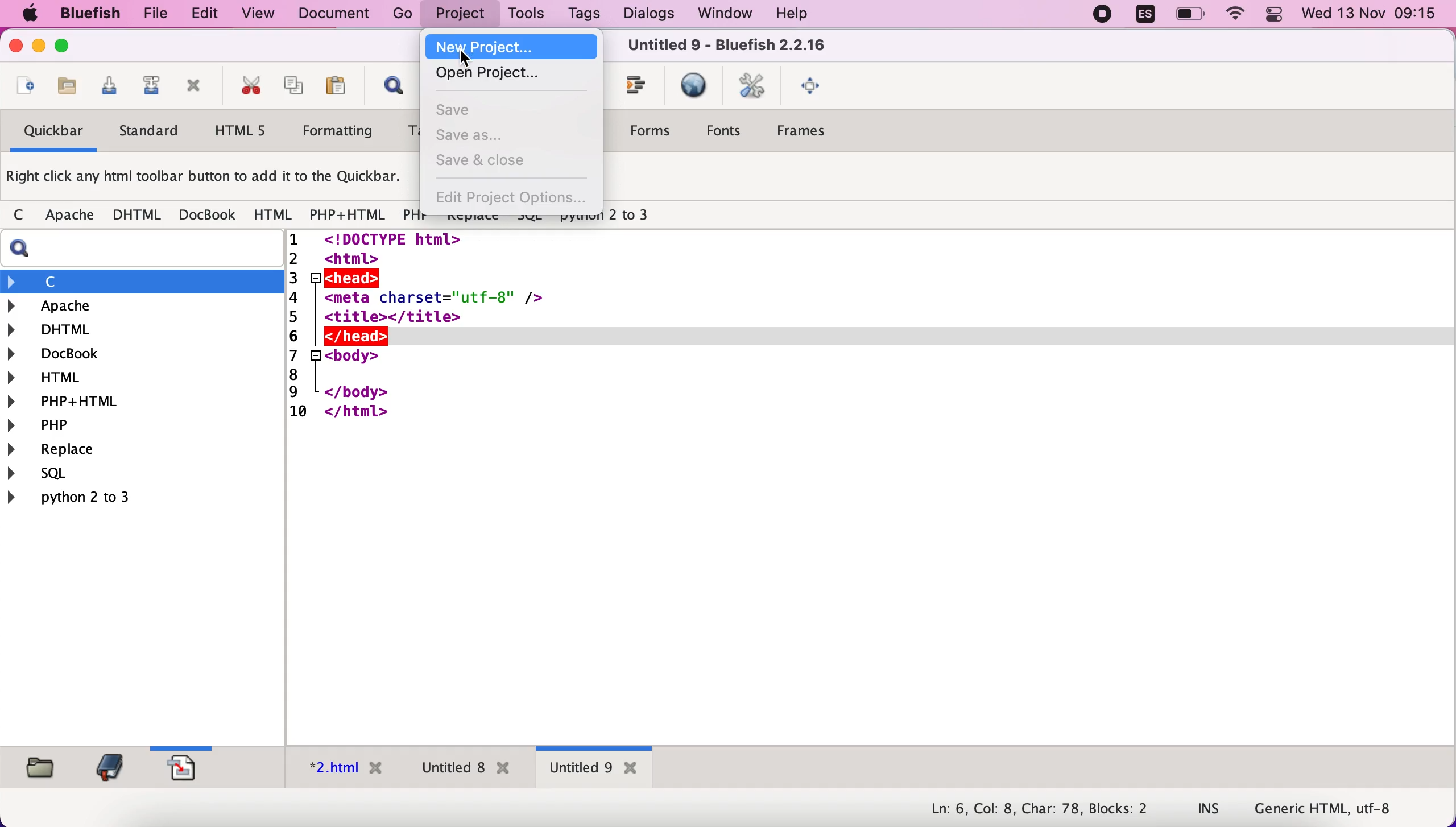  I want to click on docbook, so click(208, 217).